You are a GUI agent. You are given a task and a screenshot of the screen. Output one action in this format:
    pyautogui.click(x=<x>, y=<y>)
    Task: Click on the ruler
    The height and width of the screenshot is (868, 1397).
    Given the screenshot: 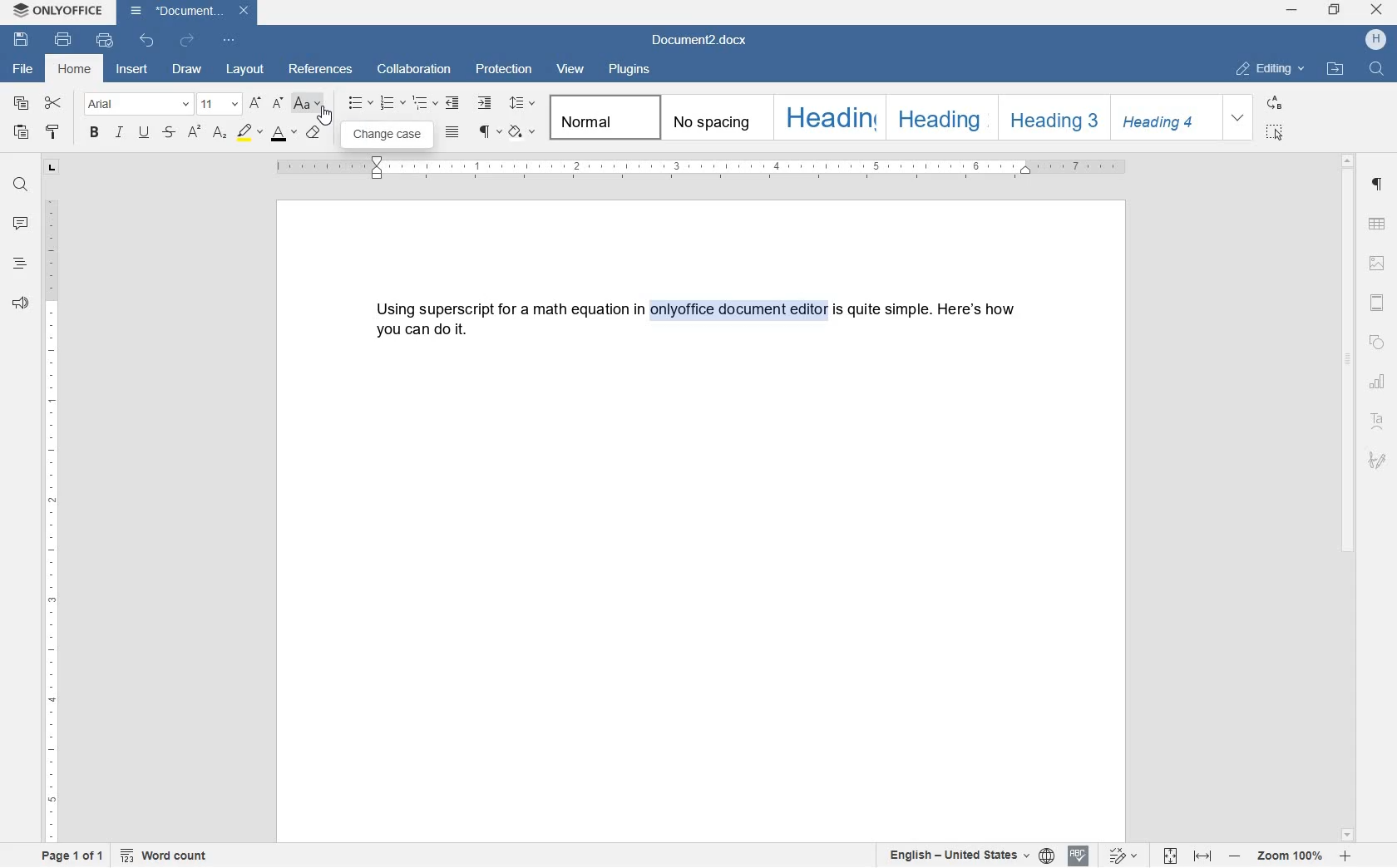 What is the action you would take?
    pyautogui.click(x=702, y=167)
    